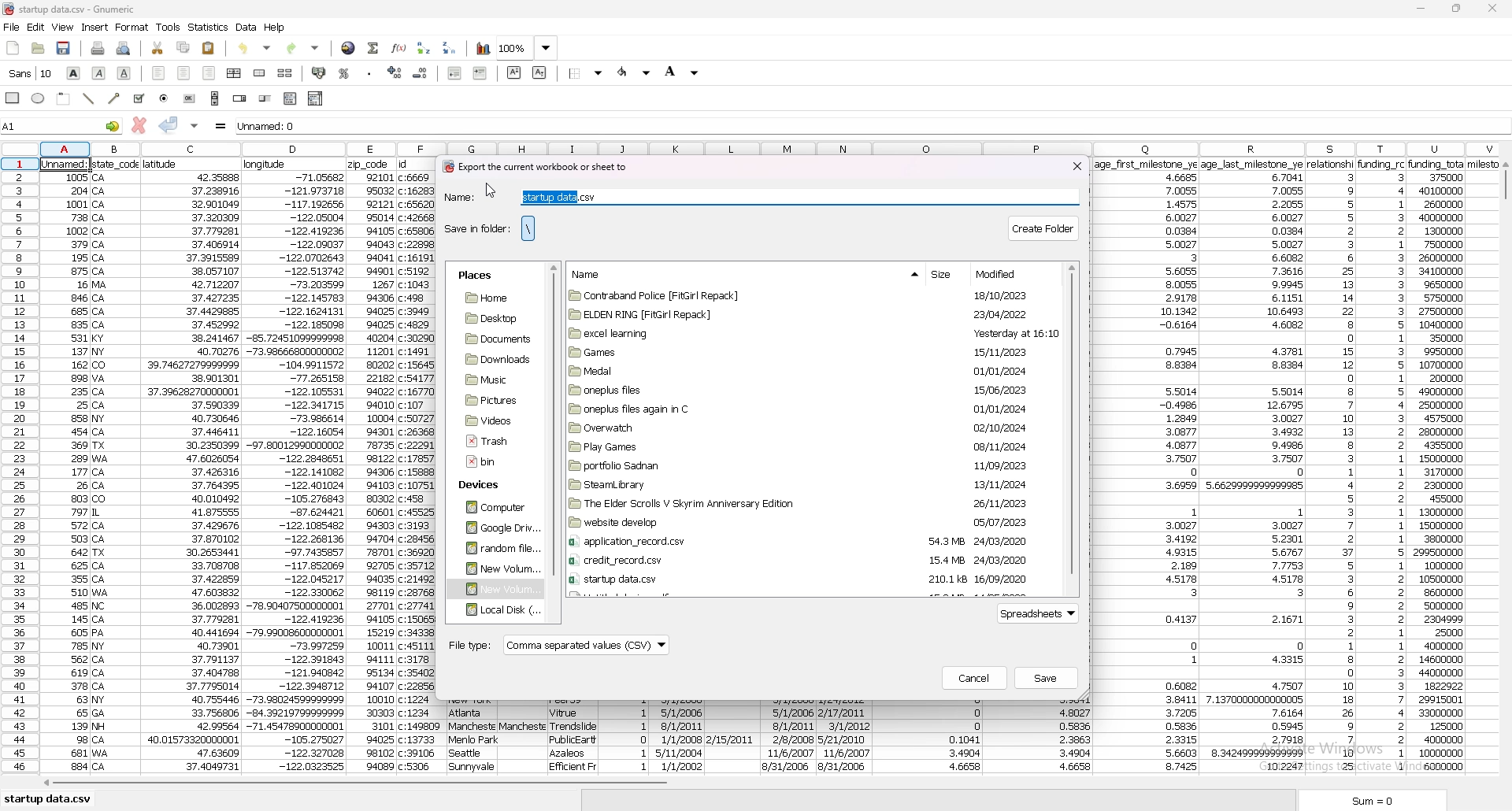 Image resolution: width=1512 pixels, height=811 pixels. What do you see at coordinates (39, 49) in the screenshot?
I see `open` at bounding box center [39, 49].